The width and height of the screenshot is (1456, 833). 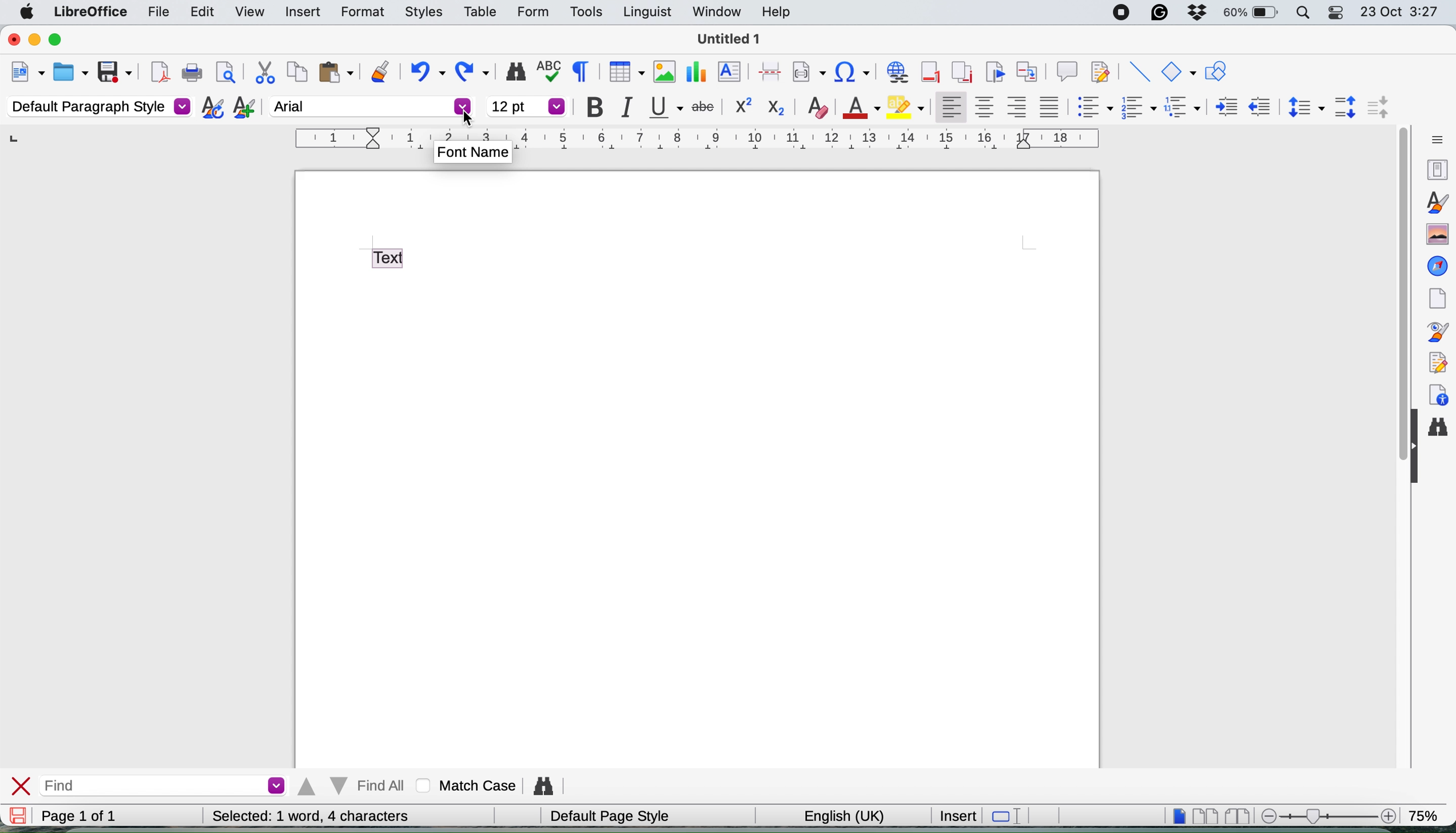 I want to click on spelling, so click(x=547, y=70).